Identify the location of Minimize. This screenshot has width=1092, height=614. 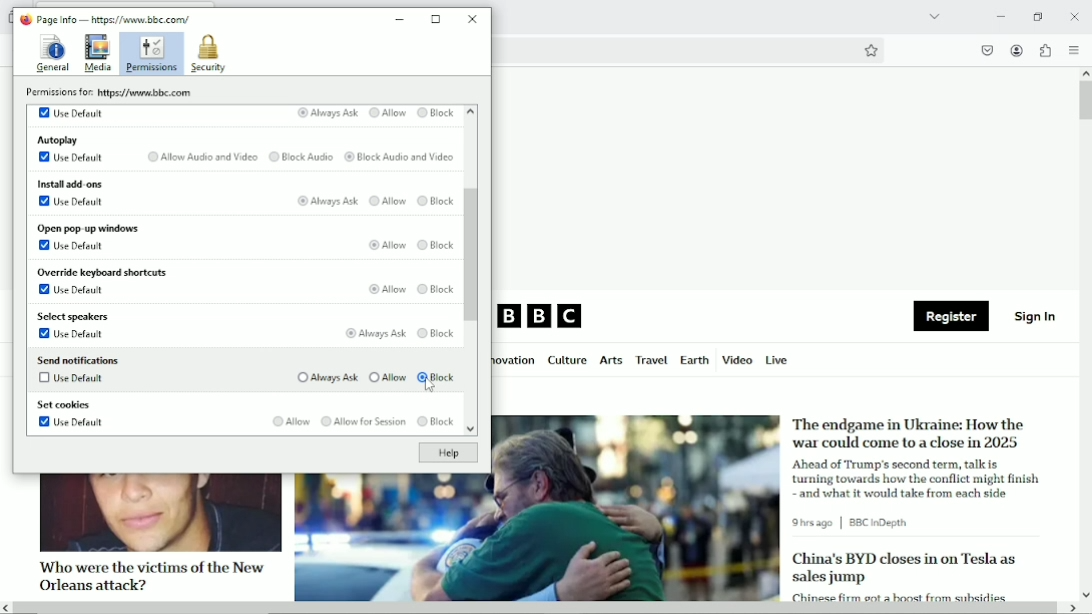
(999, 16).